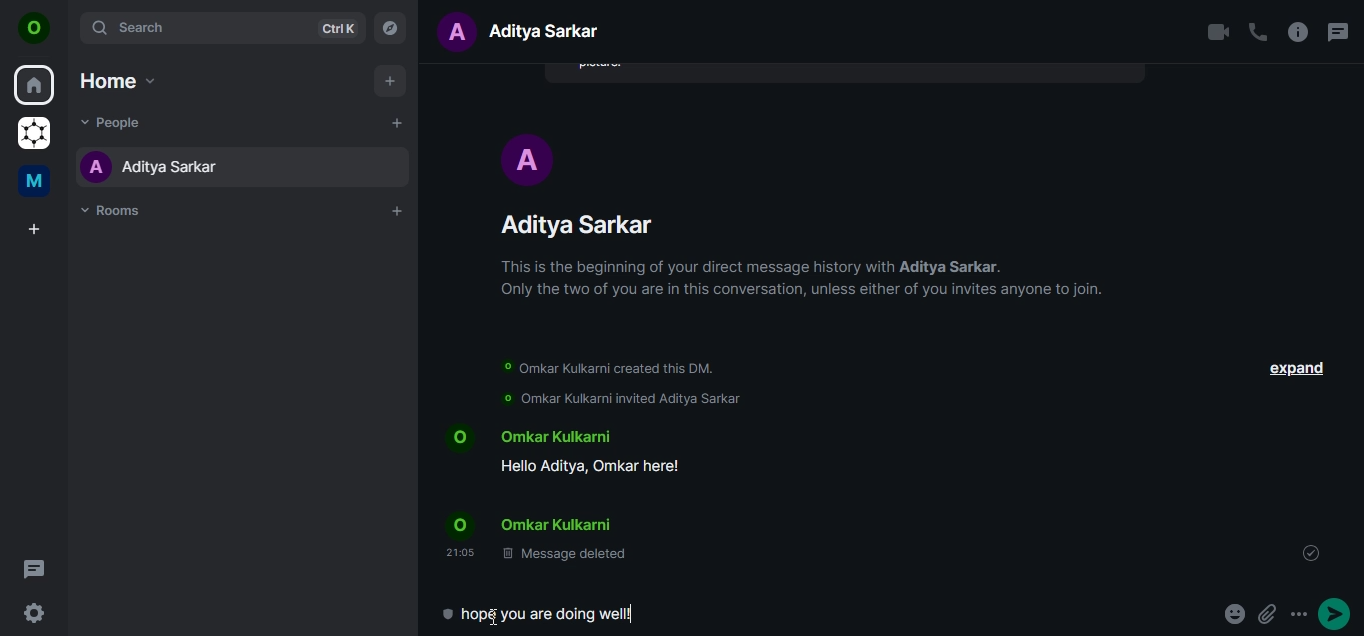  I want to click on omkar kulkani invited aditya sarkar, so click(617, 398).